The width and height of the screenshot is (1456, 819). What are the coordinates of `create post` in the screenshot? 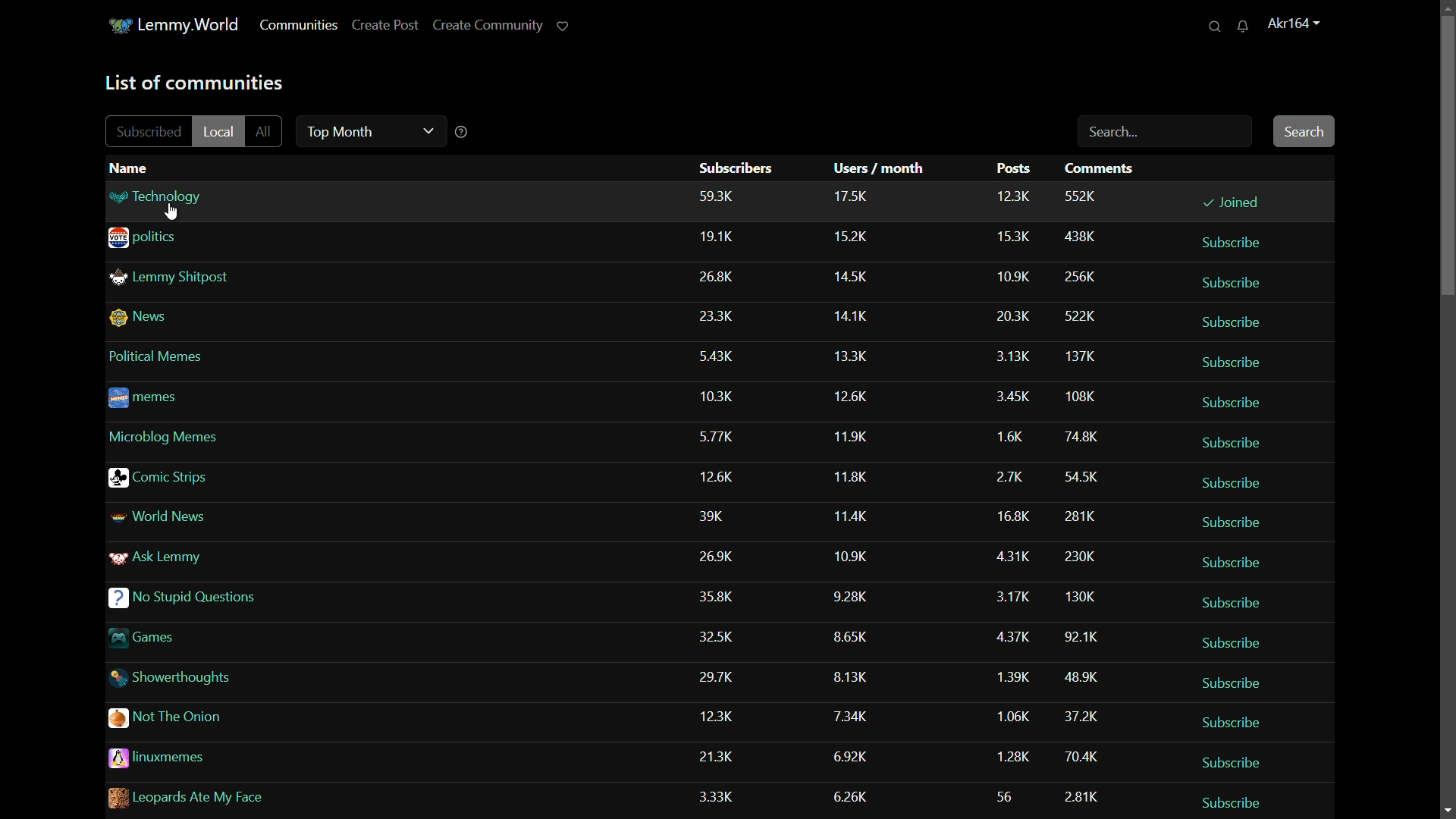 It's located at (384, 27).